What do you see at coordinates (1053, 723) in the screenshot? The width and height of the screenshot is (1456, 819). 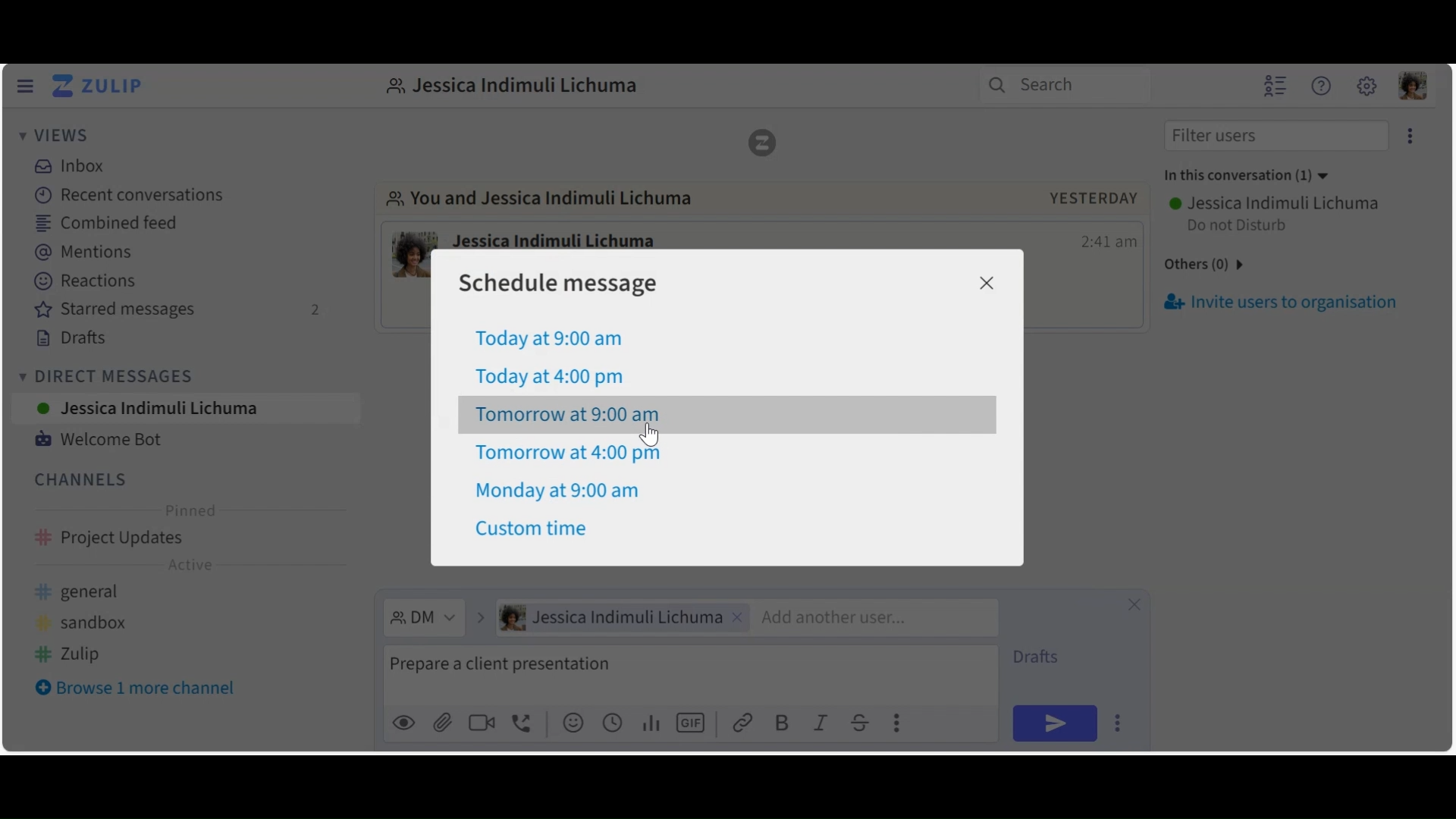 I see `Send` at bounding box center [1053, 723].